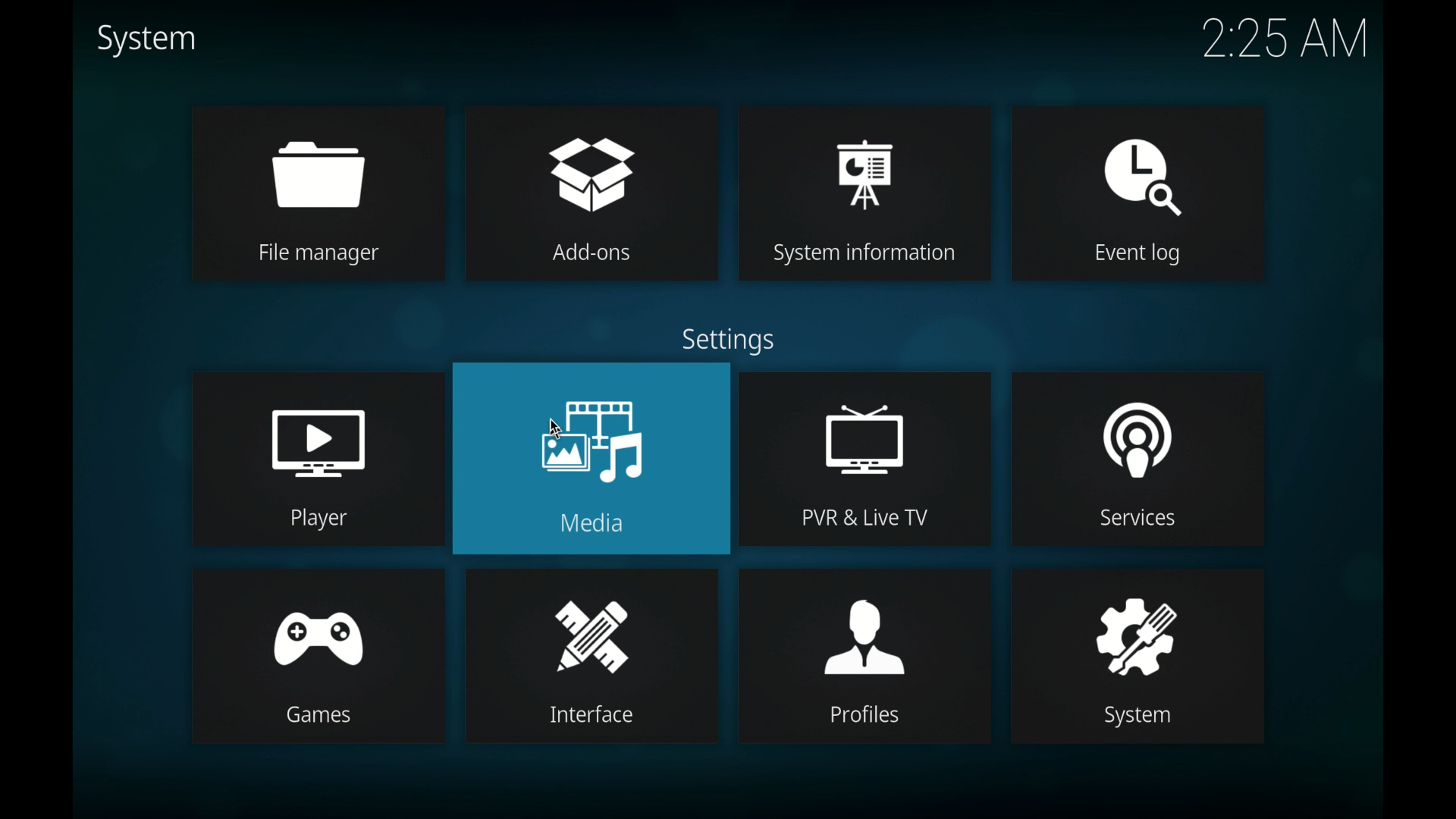  What do you see at coordinates (1141, 255) in the screenshot?
I see `Event log` at bounding box center [1141, 255].